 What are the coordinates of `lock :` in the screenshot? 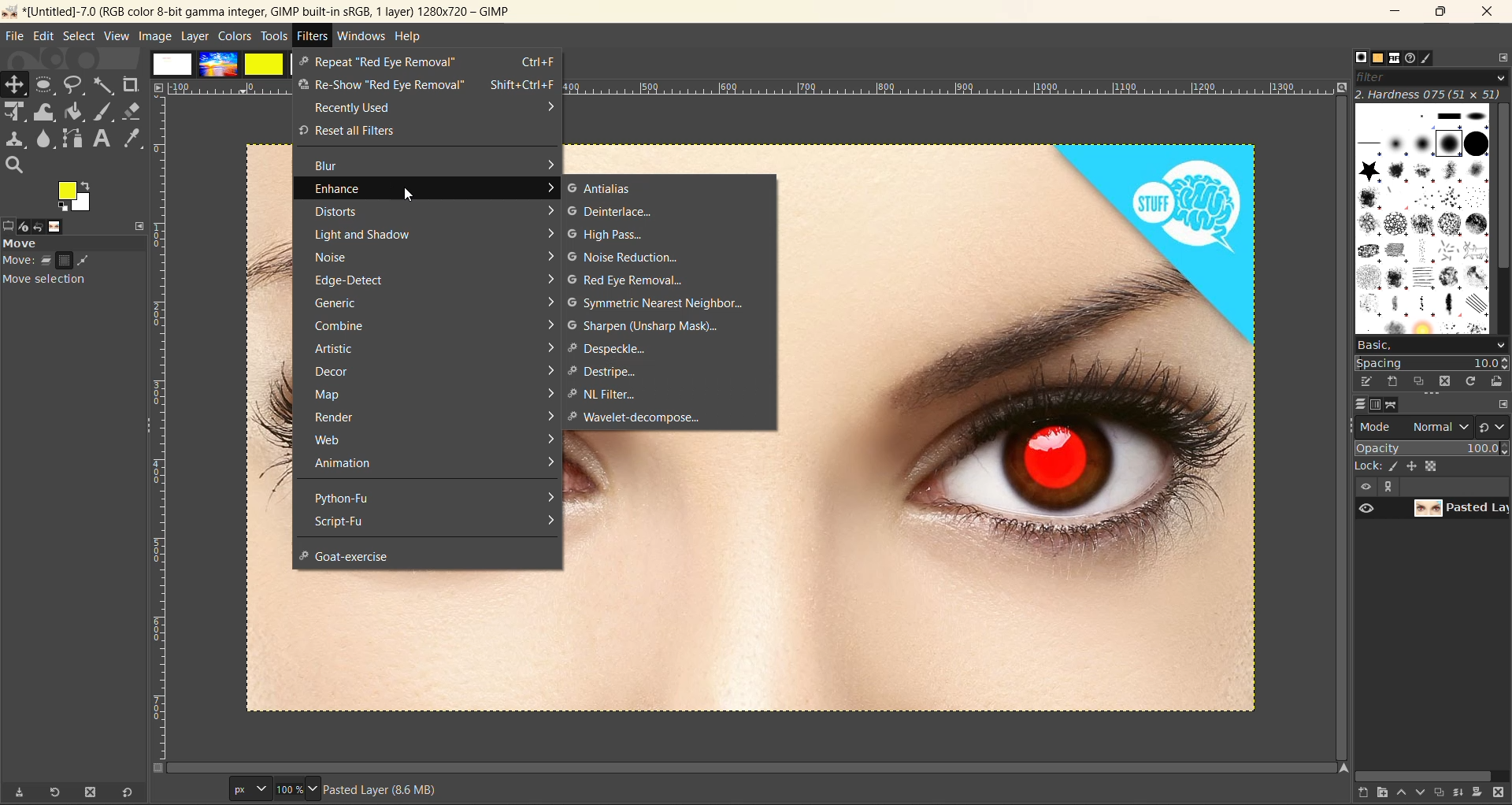 It's located at (1366, 466).